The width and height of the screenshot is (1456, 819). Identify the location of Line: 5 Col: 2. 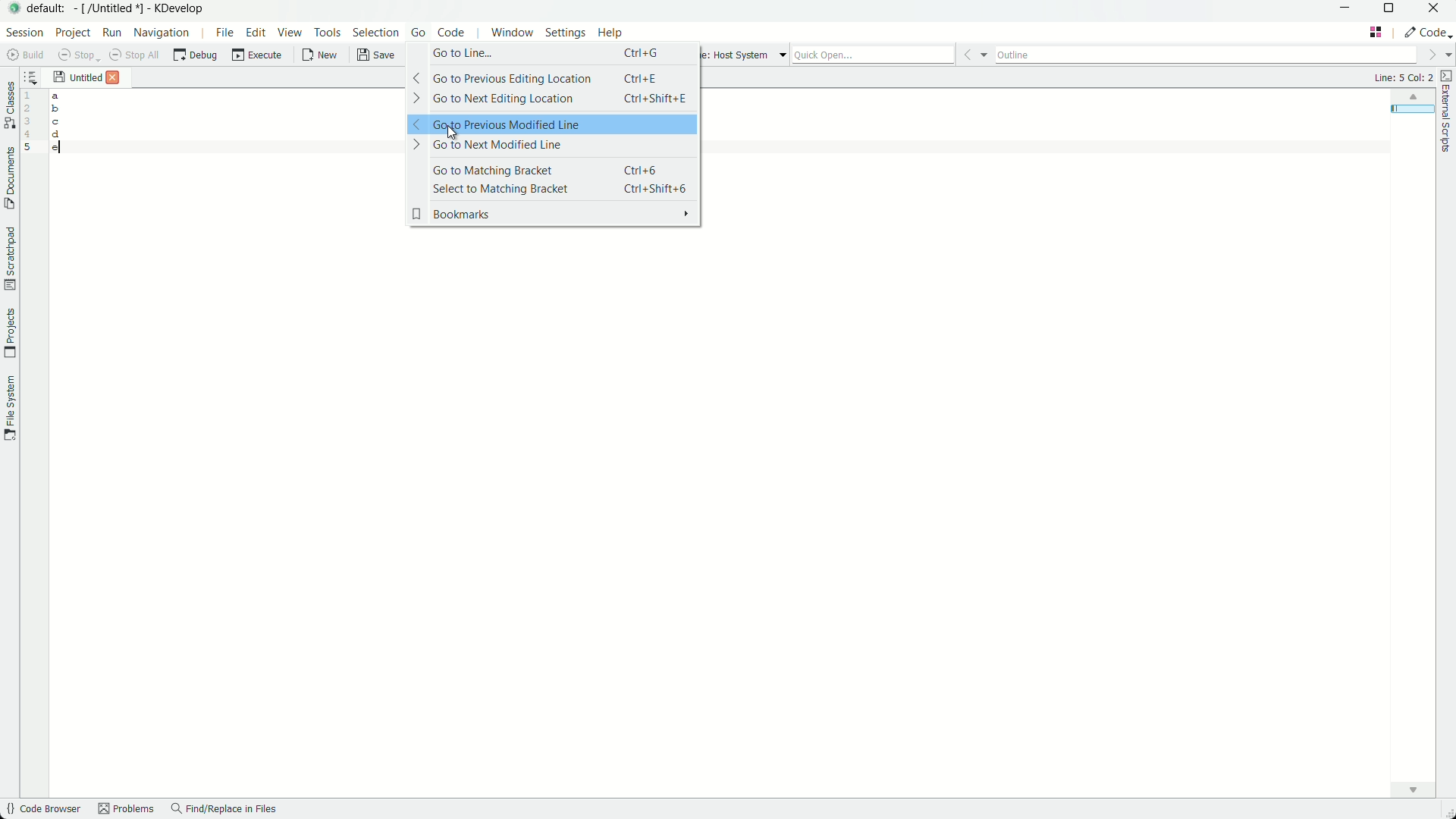
(1400, 77).